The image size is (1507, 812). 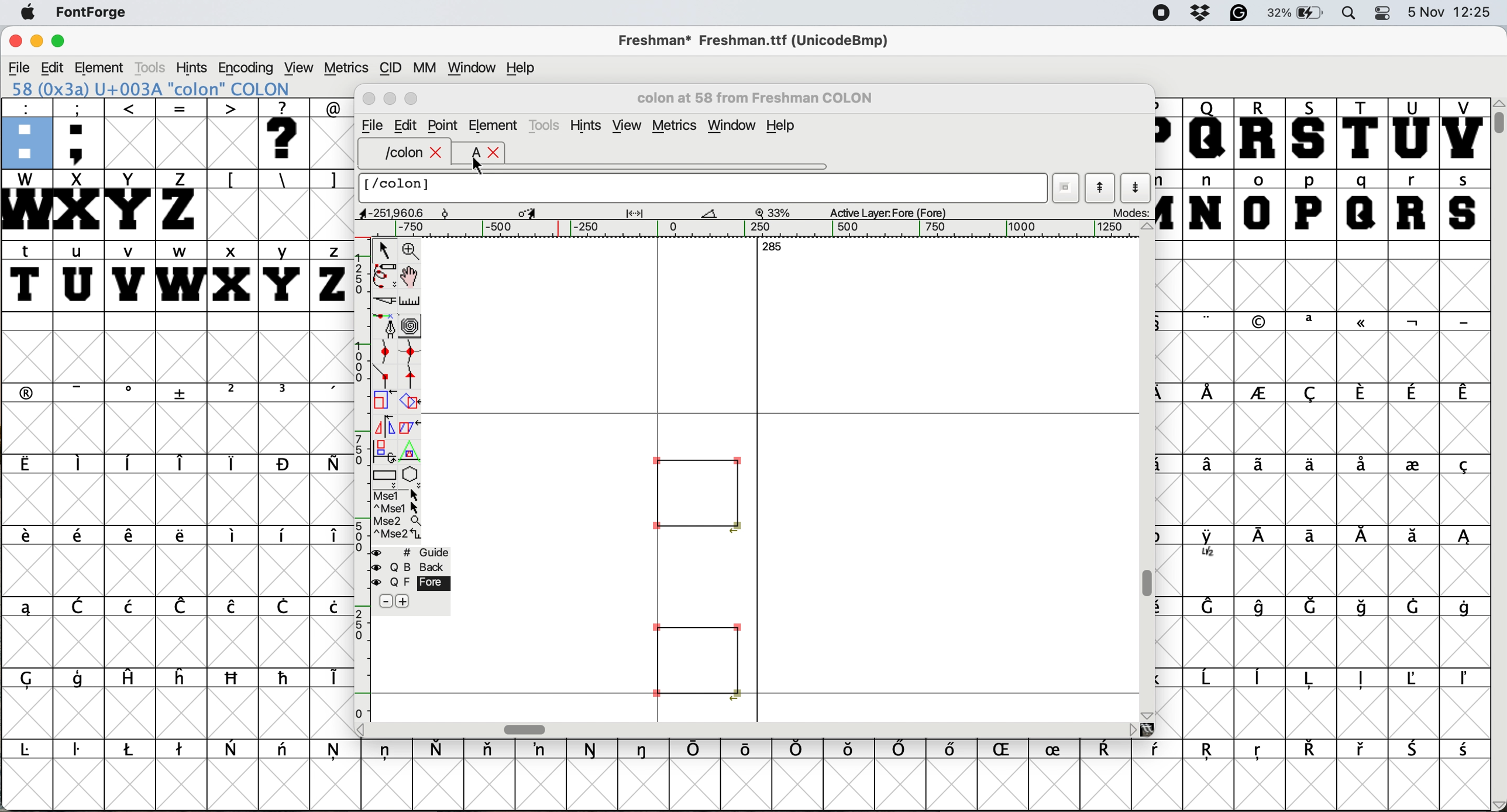 I want to click on control center, so click(x=1384, y=14).